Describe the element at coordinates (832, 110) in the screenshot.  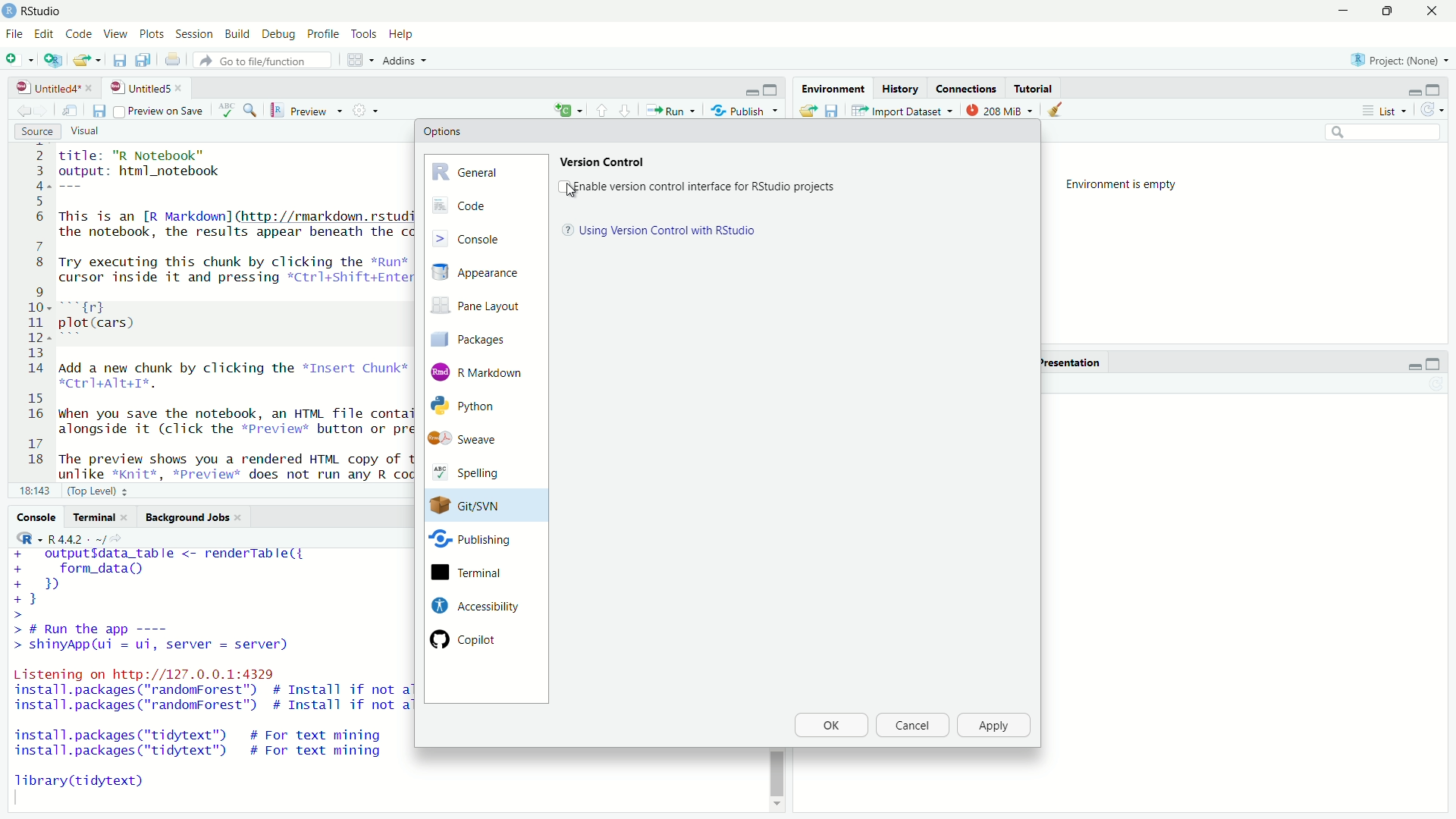
I see `save workspace` at that location.